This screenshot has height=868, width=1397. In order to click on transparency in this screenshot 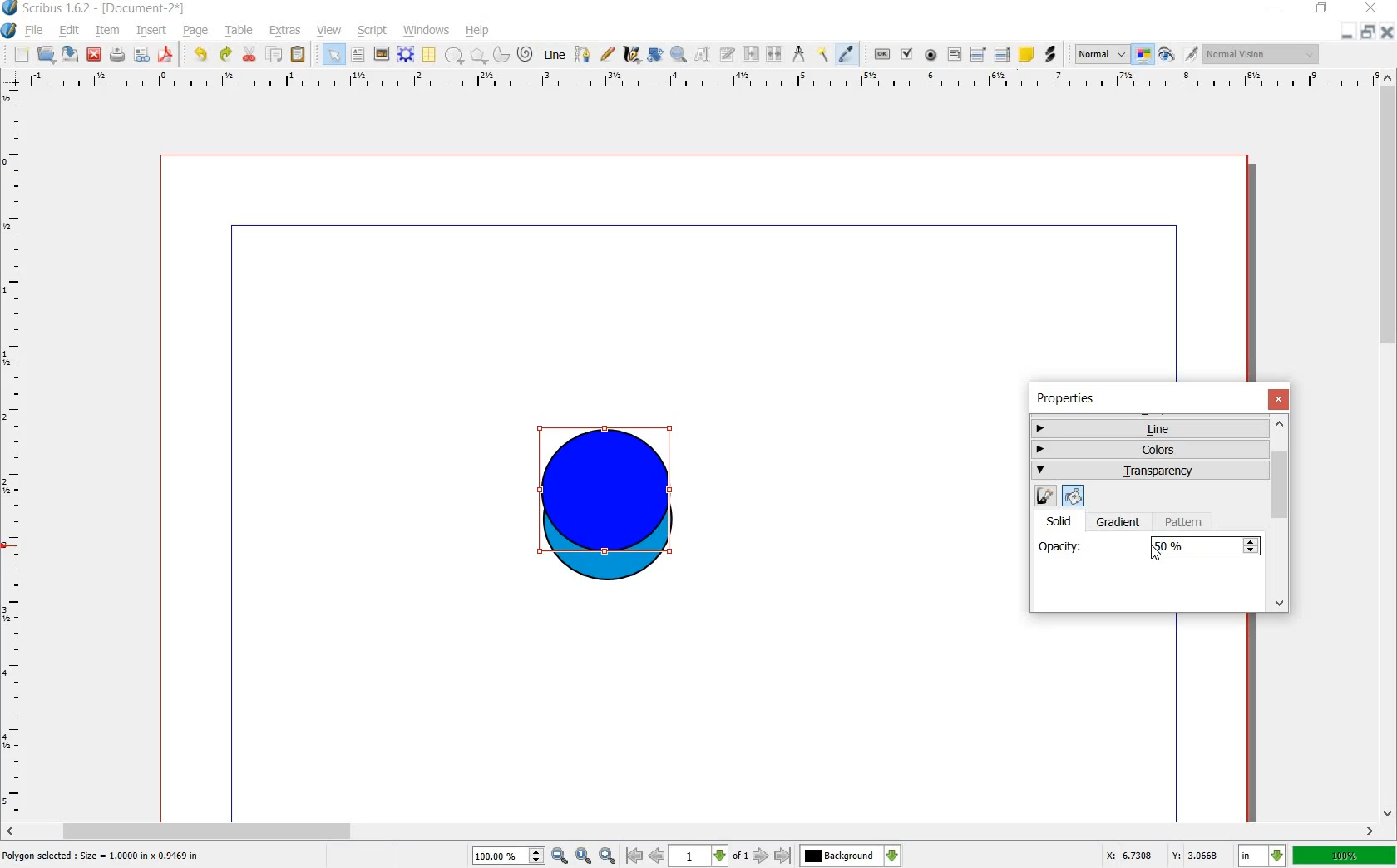, I will do `click(1151, 471)`.